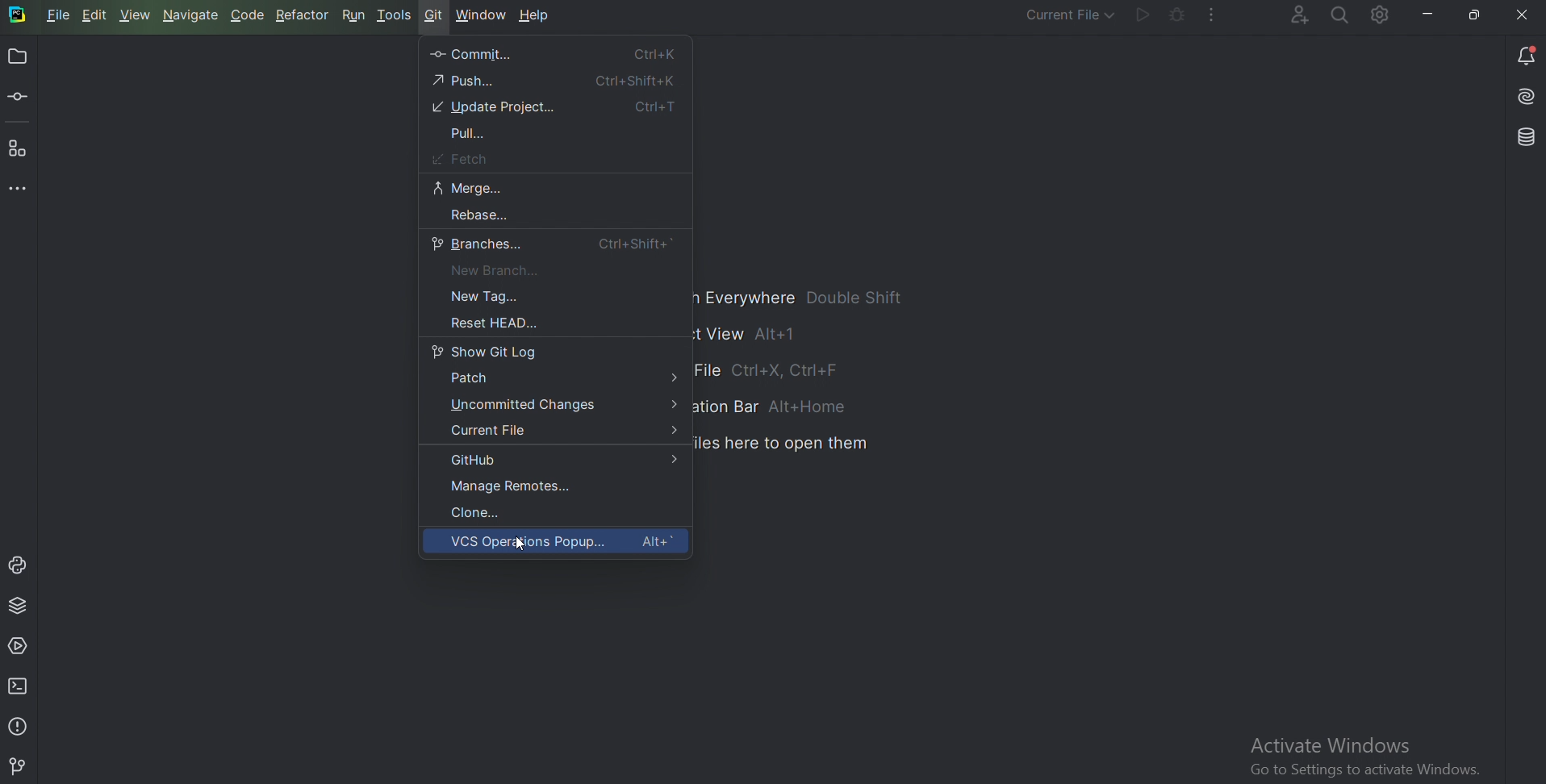  Describe the element at coordinates (554, 244) in the screenshot. I see `Branches` at that location.